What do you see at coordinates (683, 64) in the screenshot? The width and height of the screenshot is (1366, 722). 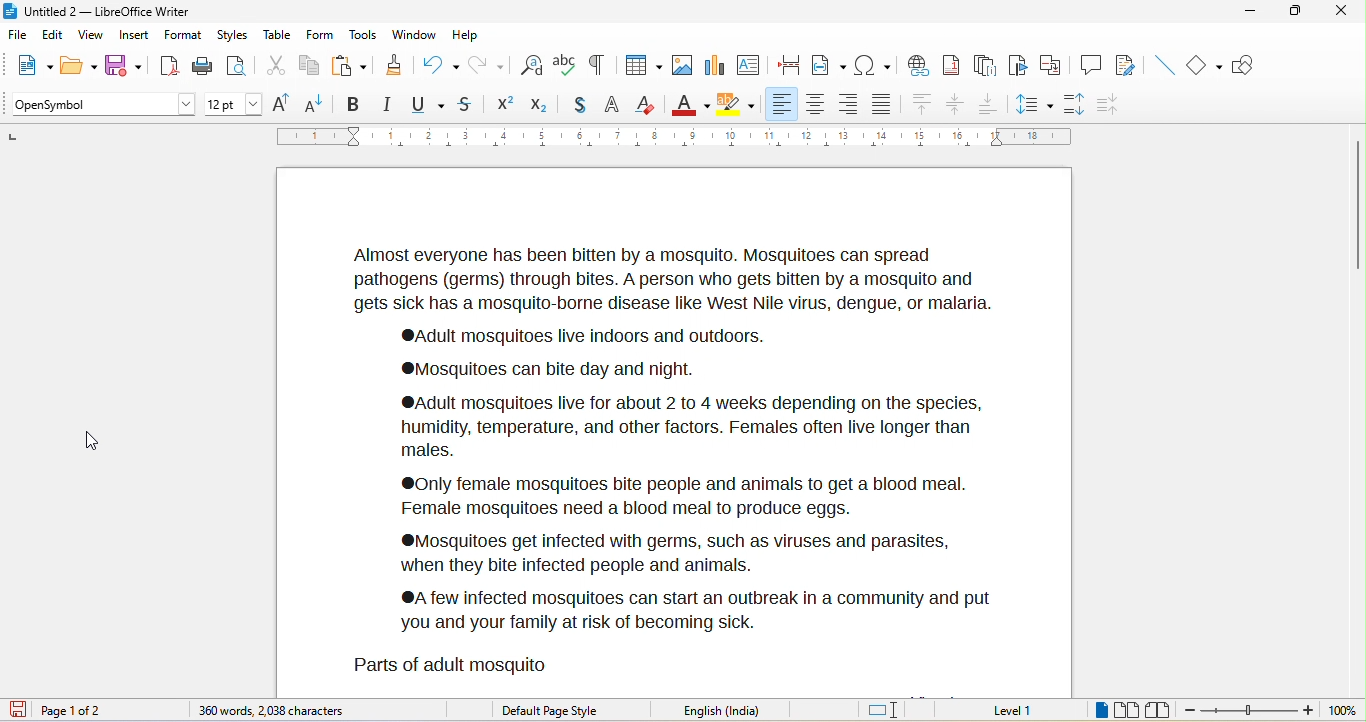 I see `image` at bounding box center [683, 64].